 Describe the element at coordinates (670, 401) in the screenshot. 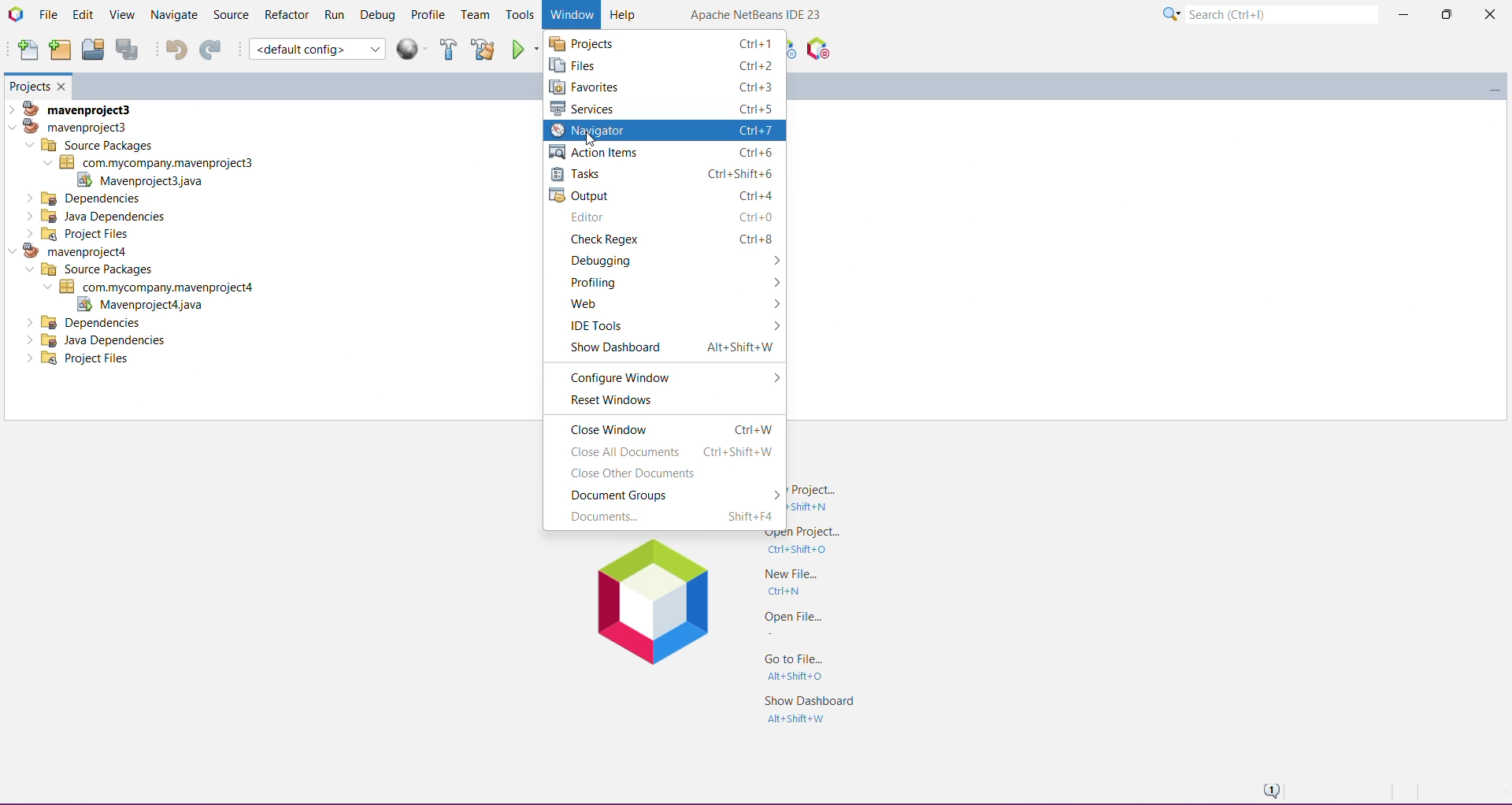

I see `Reset Windows` at that location.